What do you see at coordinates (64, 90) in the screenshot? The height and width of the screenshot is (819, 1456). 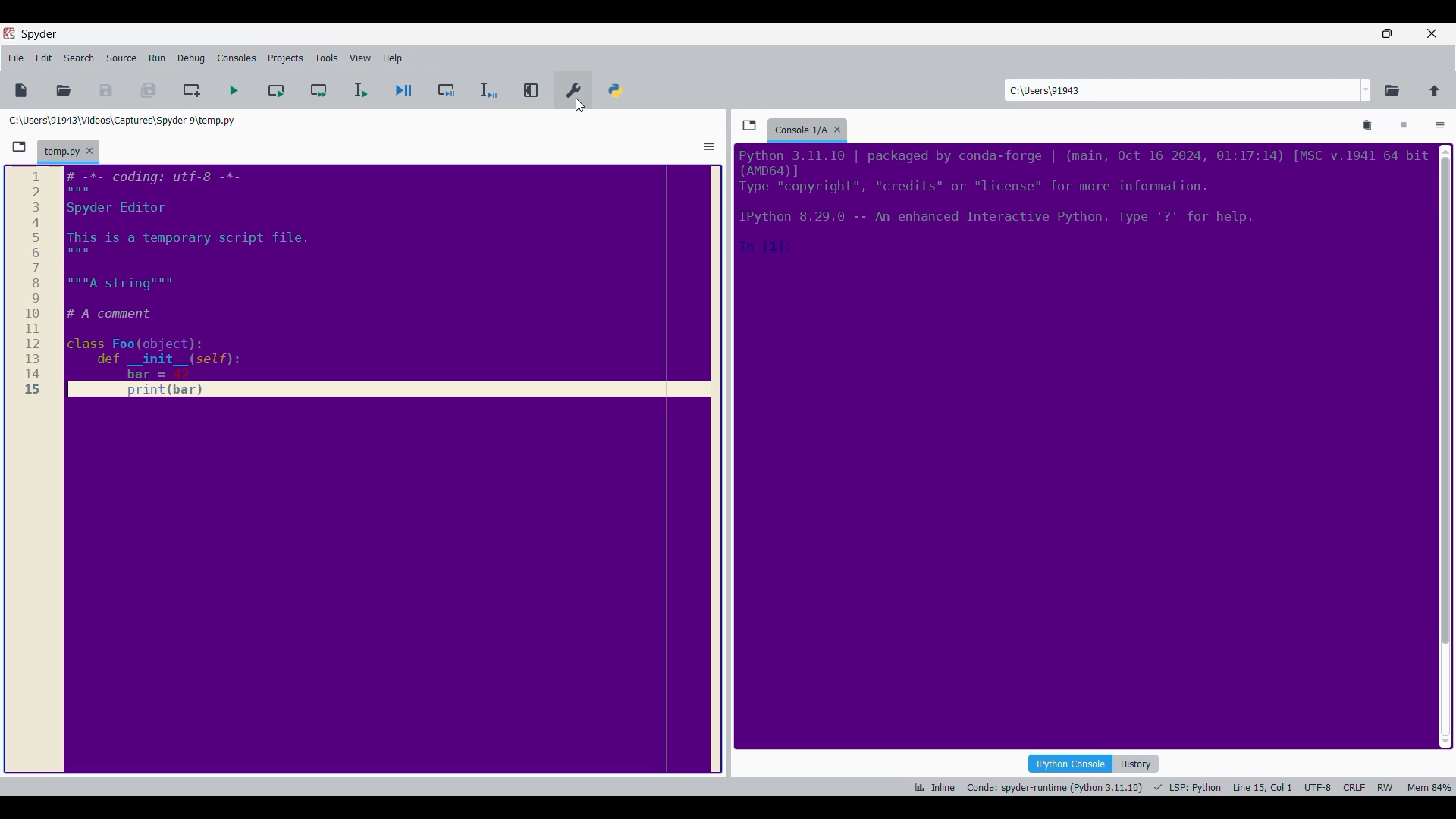 I see `Open` at bounding box center [64, 90].